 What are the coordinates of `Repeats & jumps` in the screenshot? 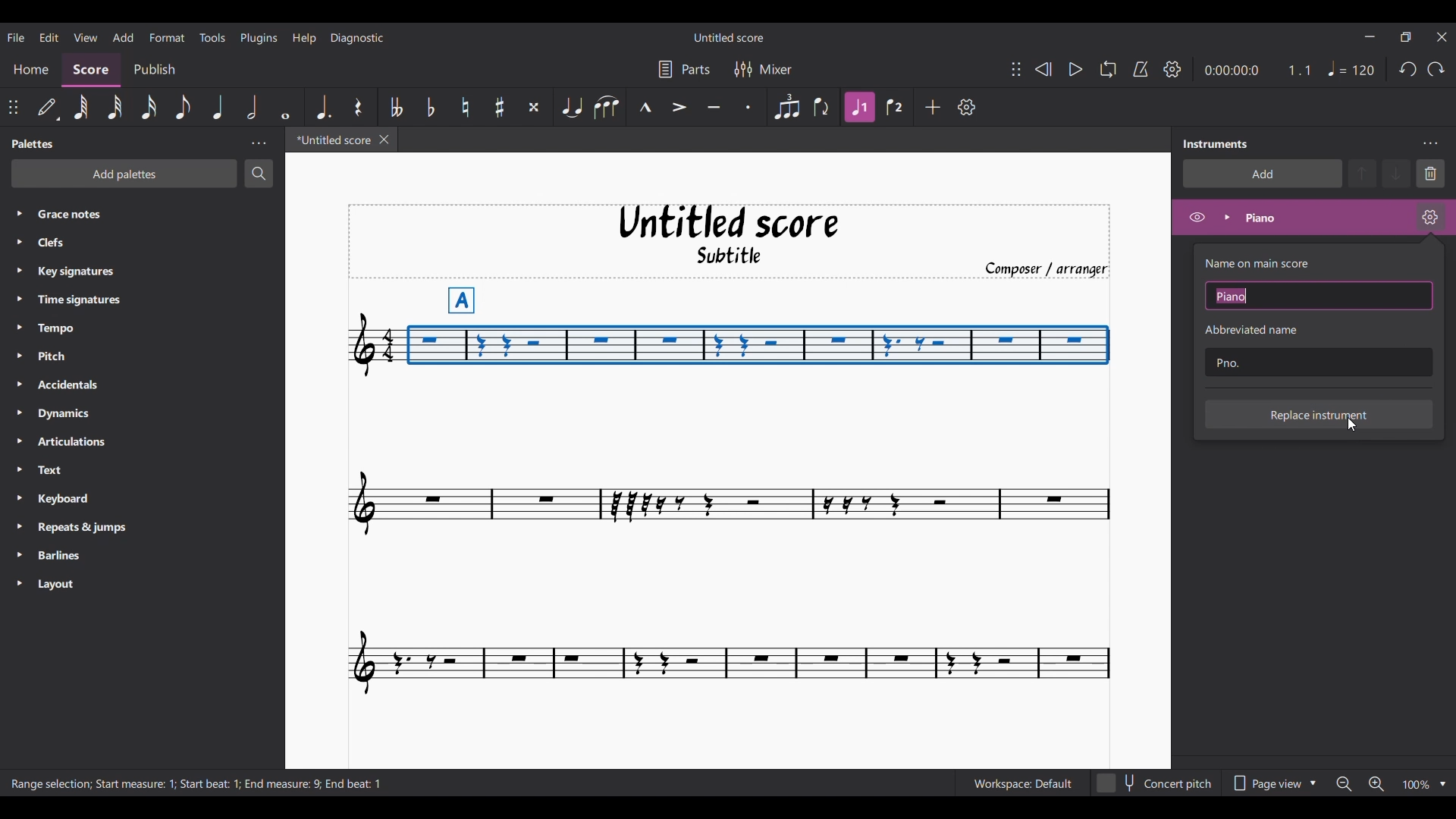 It's located at (89, 527).